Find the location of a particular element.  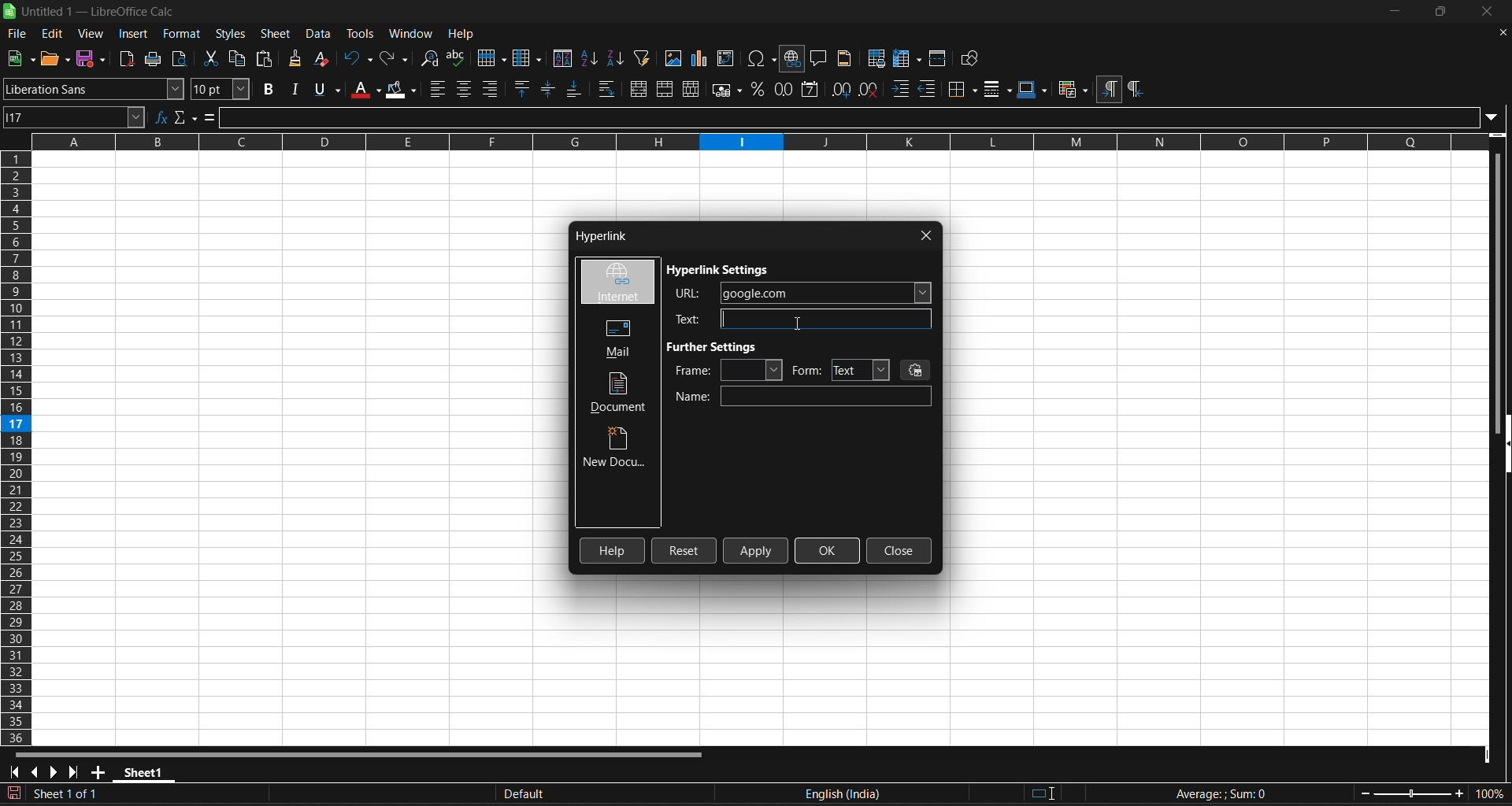

unmerge cells is located at coordinates (692, 89).